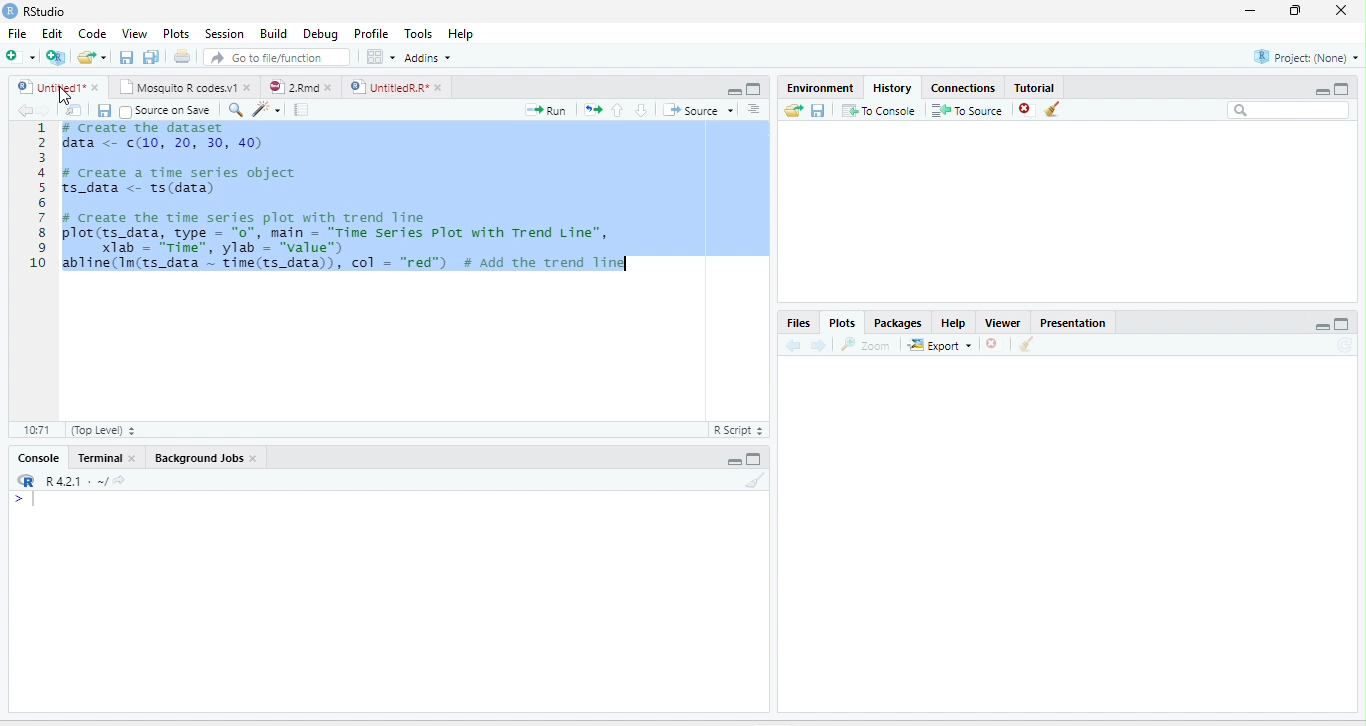  What do you see at coordinates (55, 56) in the screenshot?
I see `Create a project` at bounding box center [55, 56].